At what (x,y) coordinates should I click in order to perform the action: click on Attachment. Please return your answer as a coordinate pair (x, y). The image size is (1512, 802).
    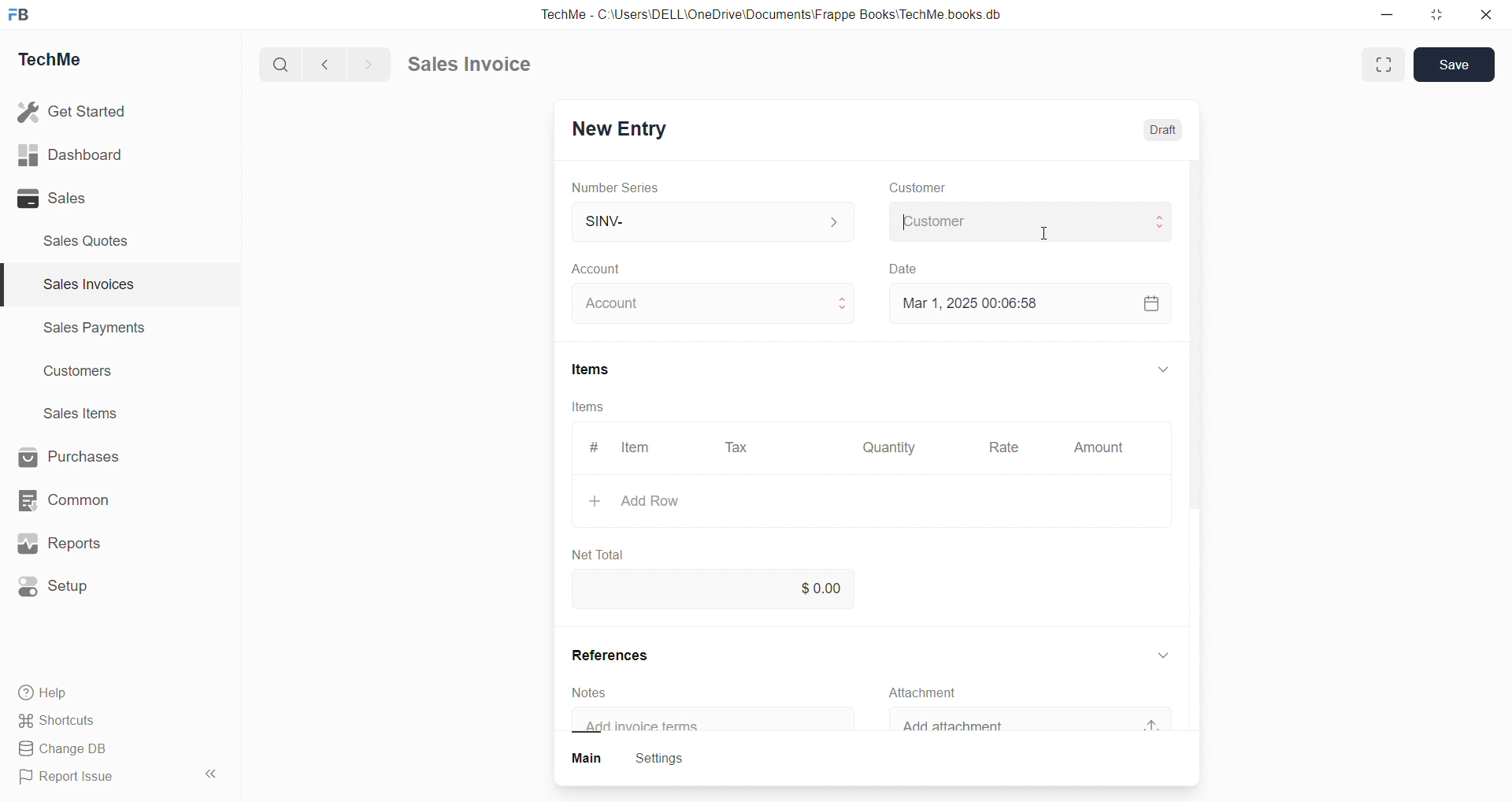
    Looking at the image, I should click on (935, 692).